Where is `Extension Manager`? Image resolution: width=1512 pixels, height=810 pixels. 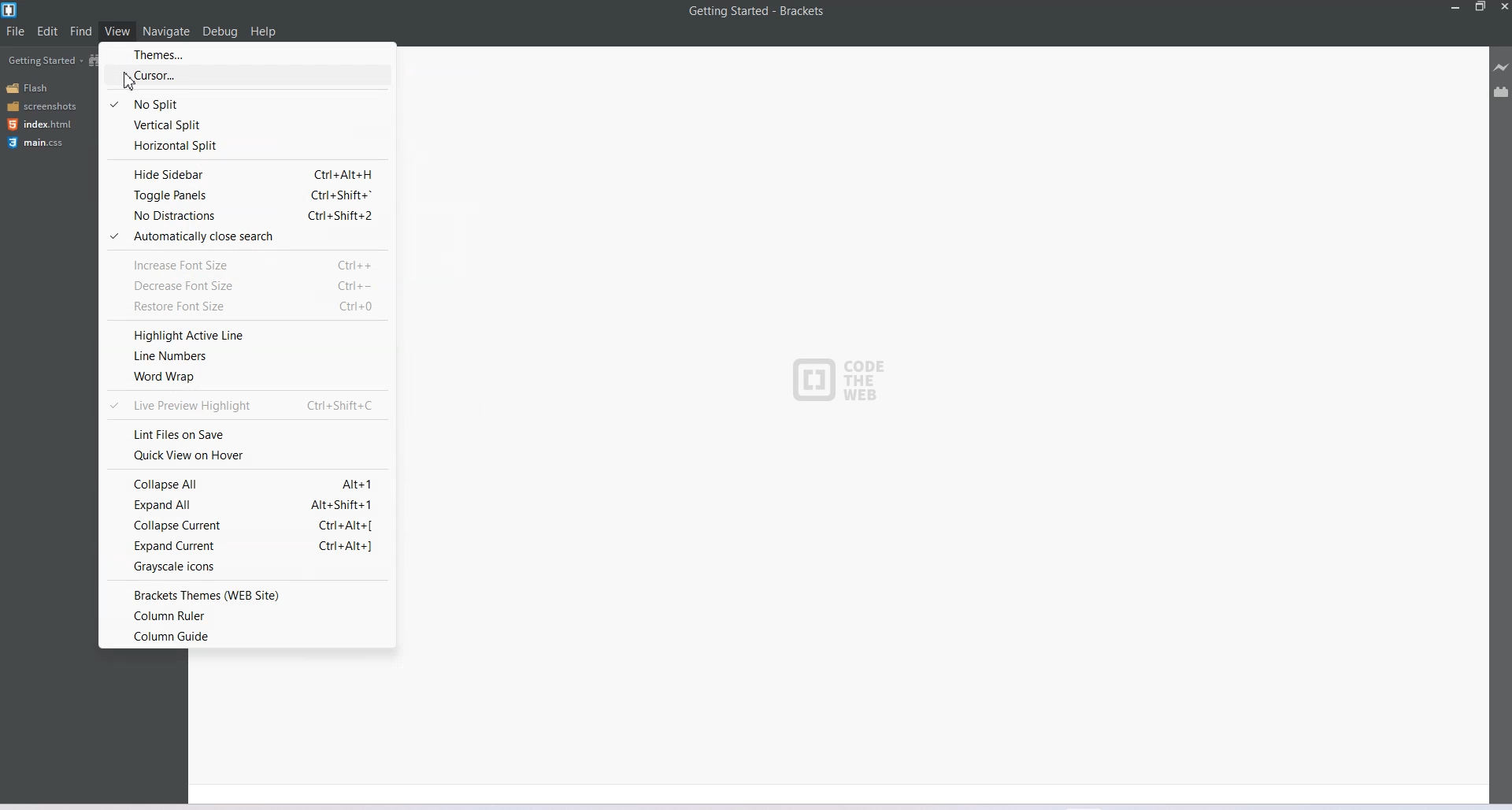 Extension Manager is located at coordinates (1502, 91).